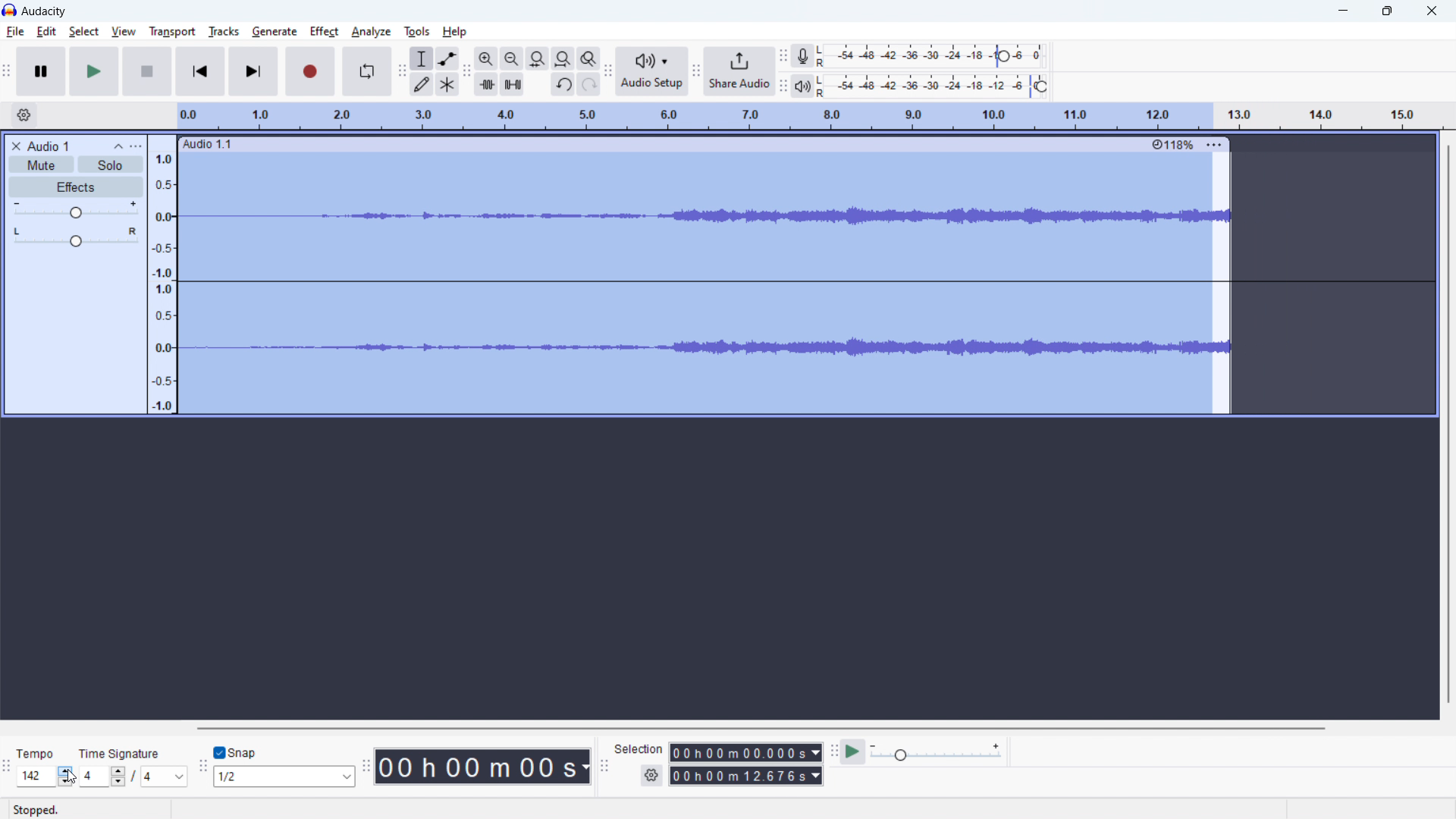 Image resolution: width=1456 pixels, height=819 pixels. I want to click on envelop tool, so click(447, 58).